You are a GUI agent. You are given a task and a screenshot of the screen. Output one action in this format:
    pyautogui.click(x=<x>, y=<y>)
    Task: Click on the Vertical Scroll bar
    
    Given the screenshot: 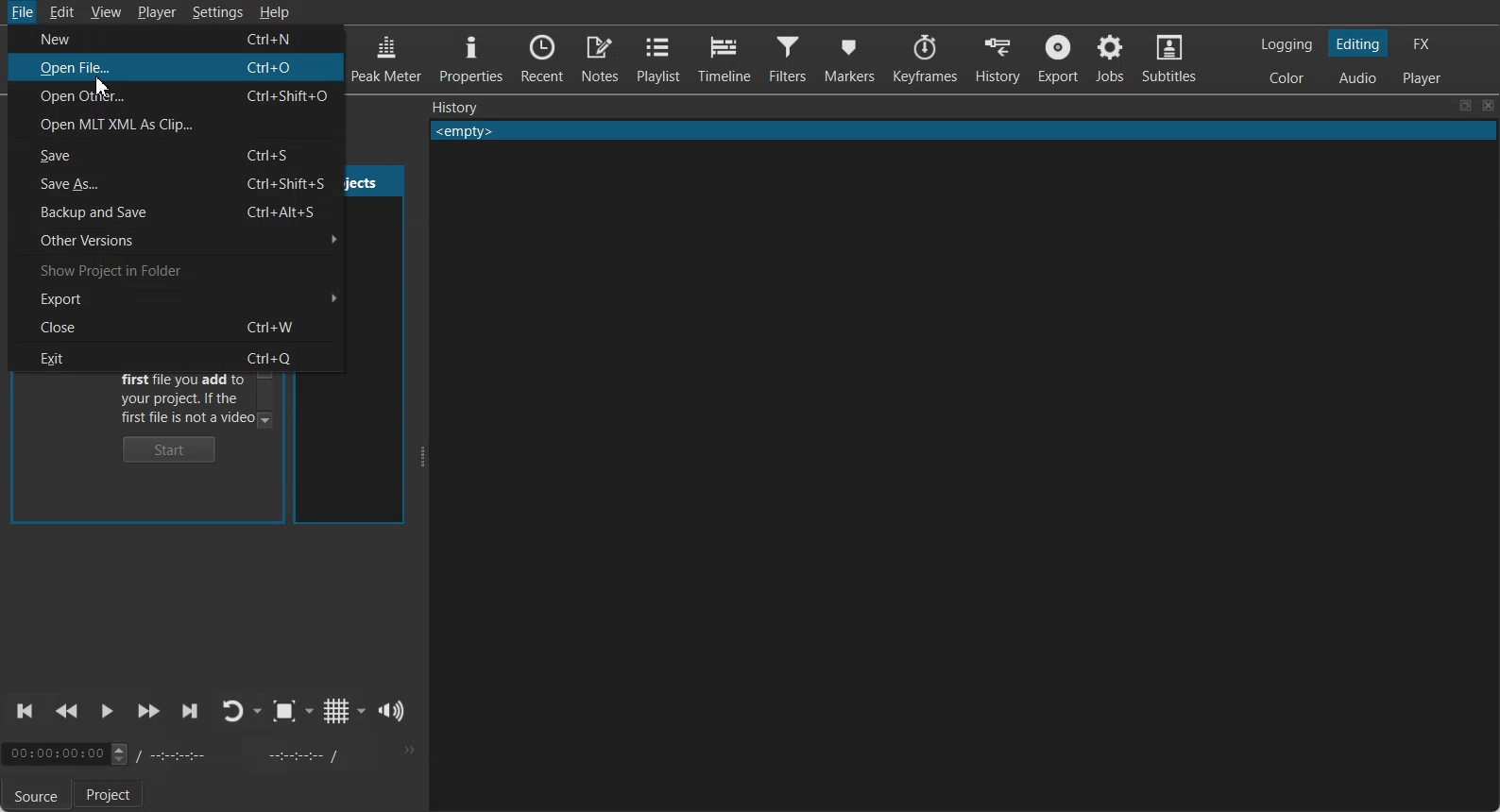 What is the action you would take?
    pyautogui.click(x=266, y=394)
    